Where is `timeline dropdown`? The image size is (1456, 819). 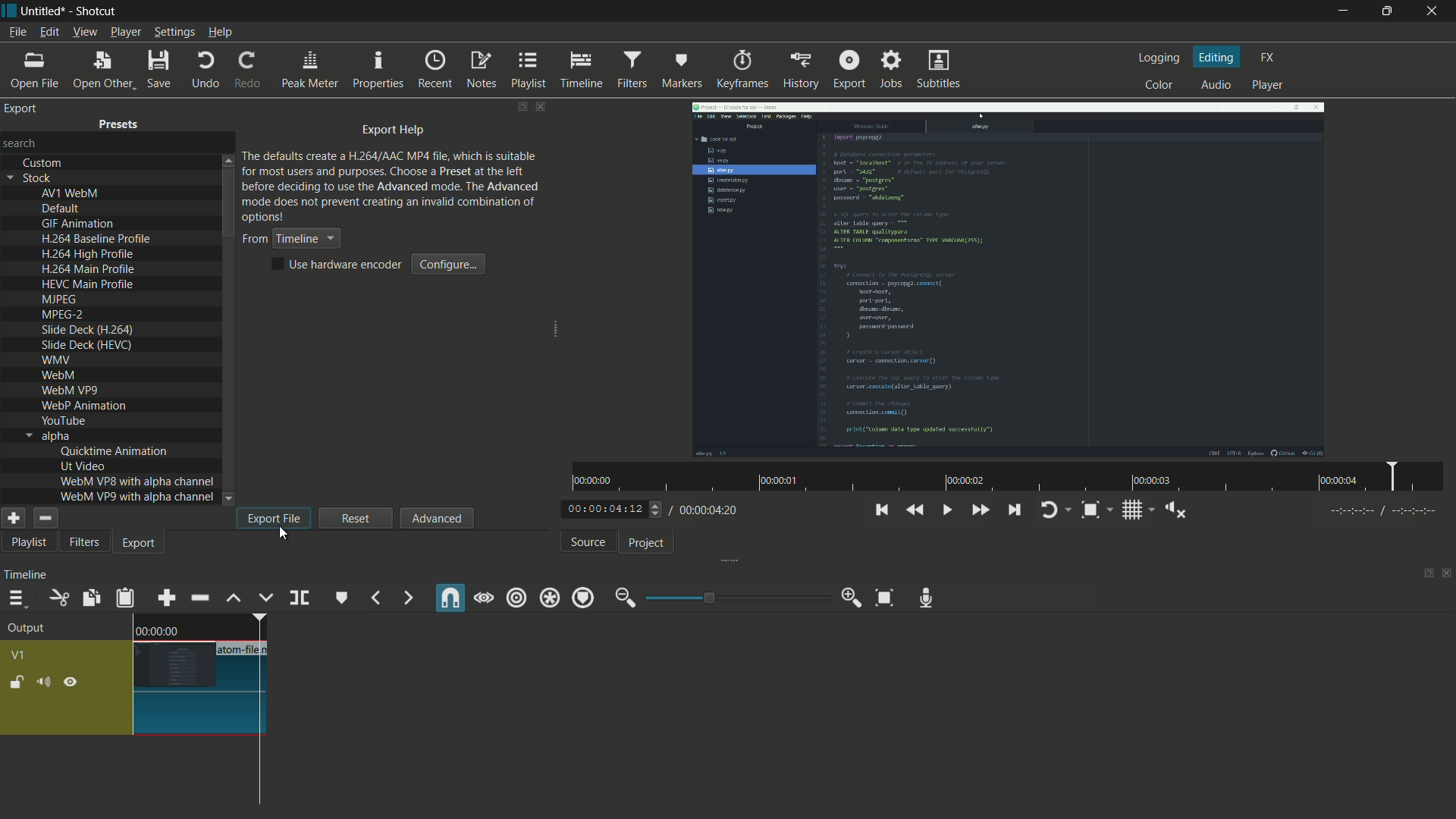 timeline dropdown is located at coordinates (290, 239).